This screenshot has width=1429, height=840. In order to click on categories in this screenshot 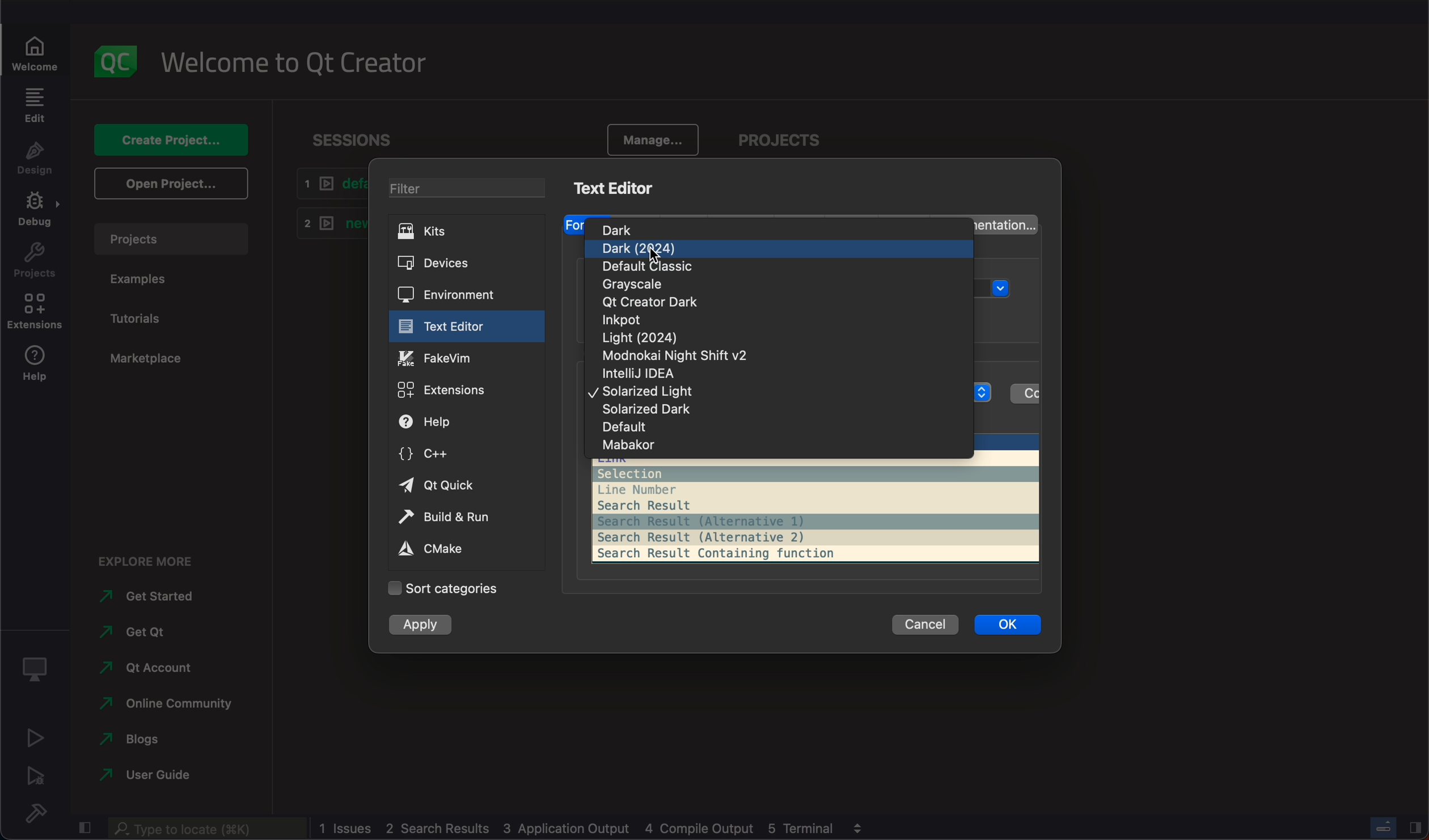, I will do `click(446, 587)`.